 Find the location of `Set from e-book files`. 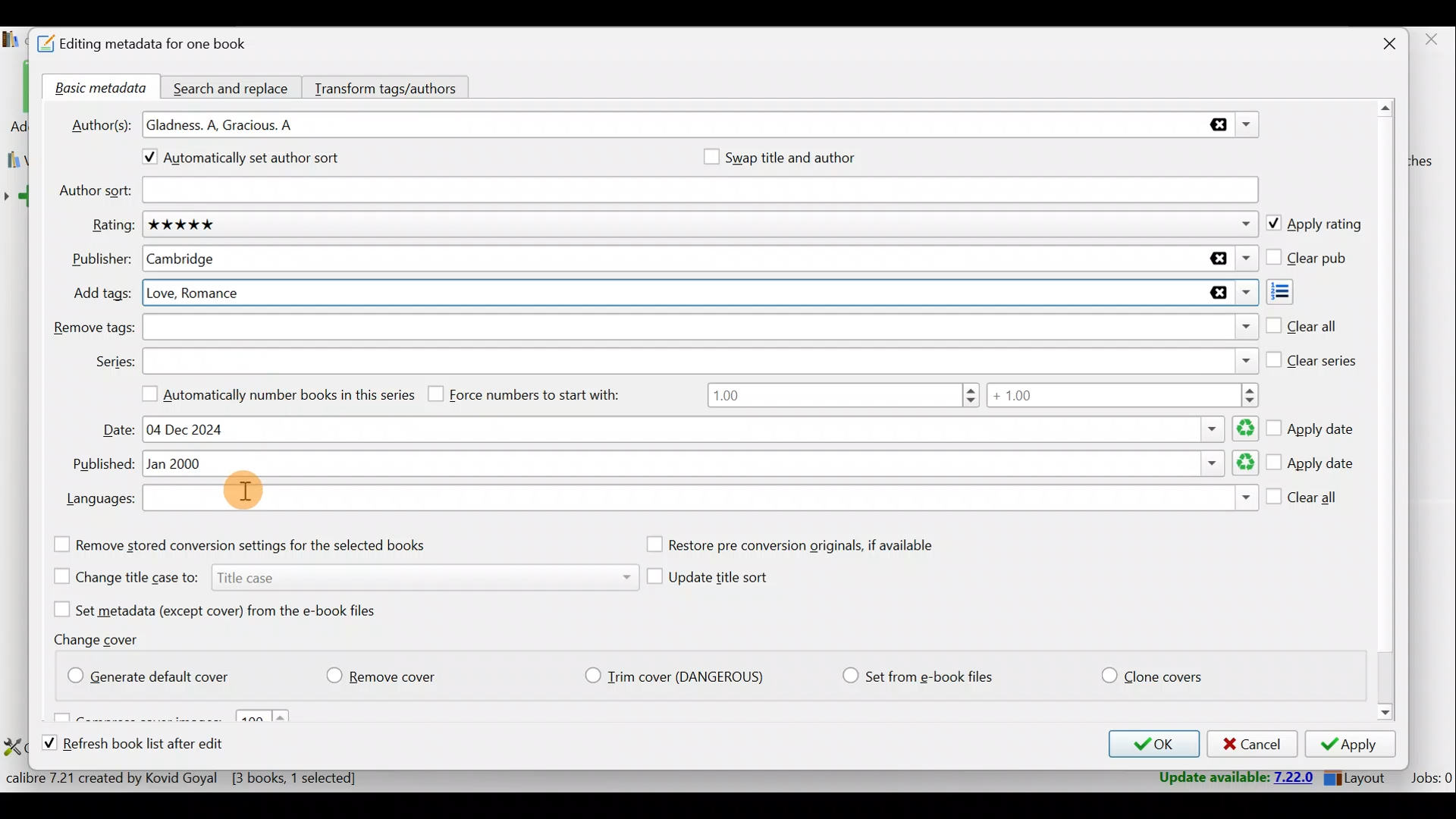

Set from e-book files is located at coordinates (917, 676).